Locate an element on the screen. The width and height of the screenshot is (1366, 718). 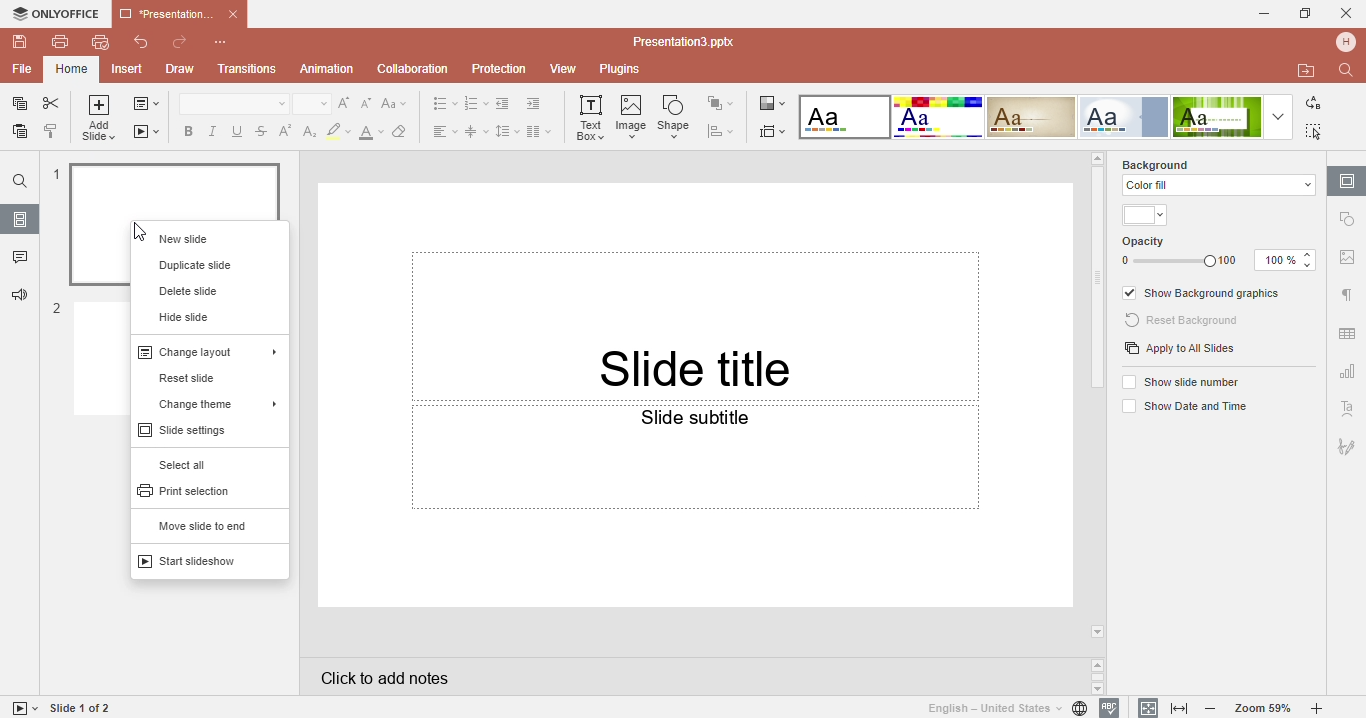
Start slide show is located at coordinates (21, 708).